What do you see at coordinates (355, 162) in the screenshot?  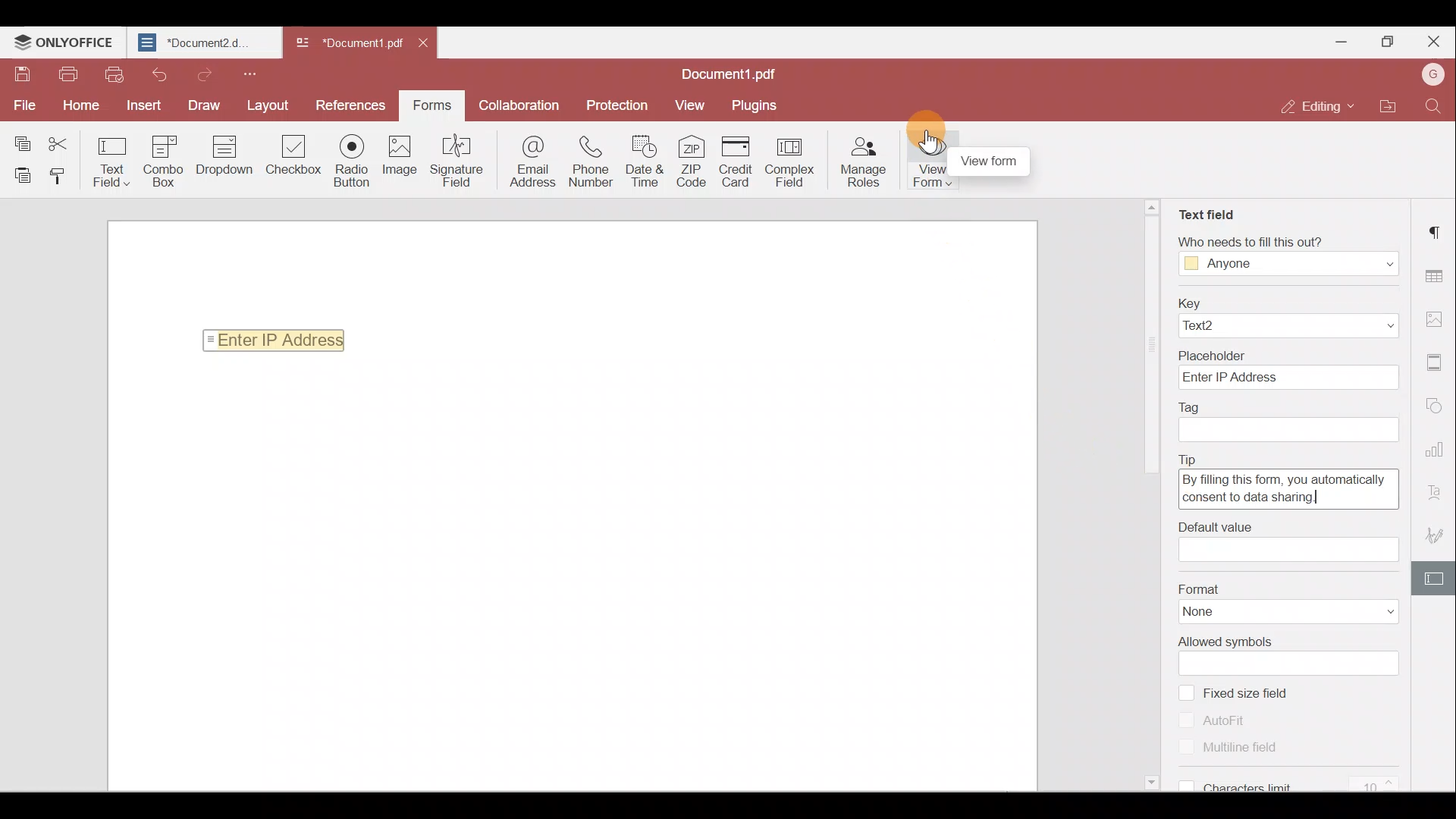 I see `Radio button` at bounding box center [355, 162].